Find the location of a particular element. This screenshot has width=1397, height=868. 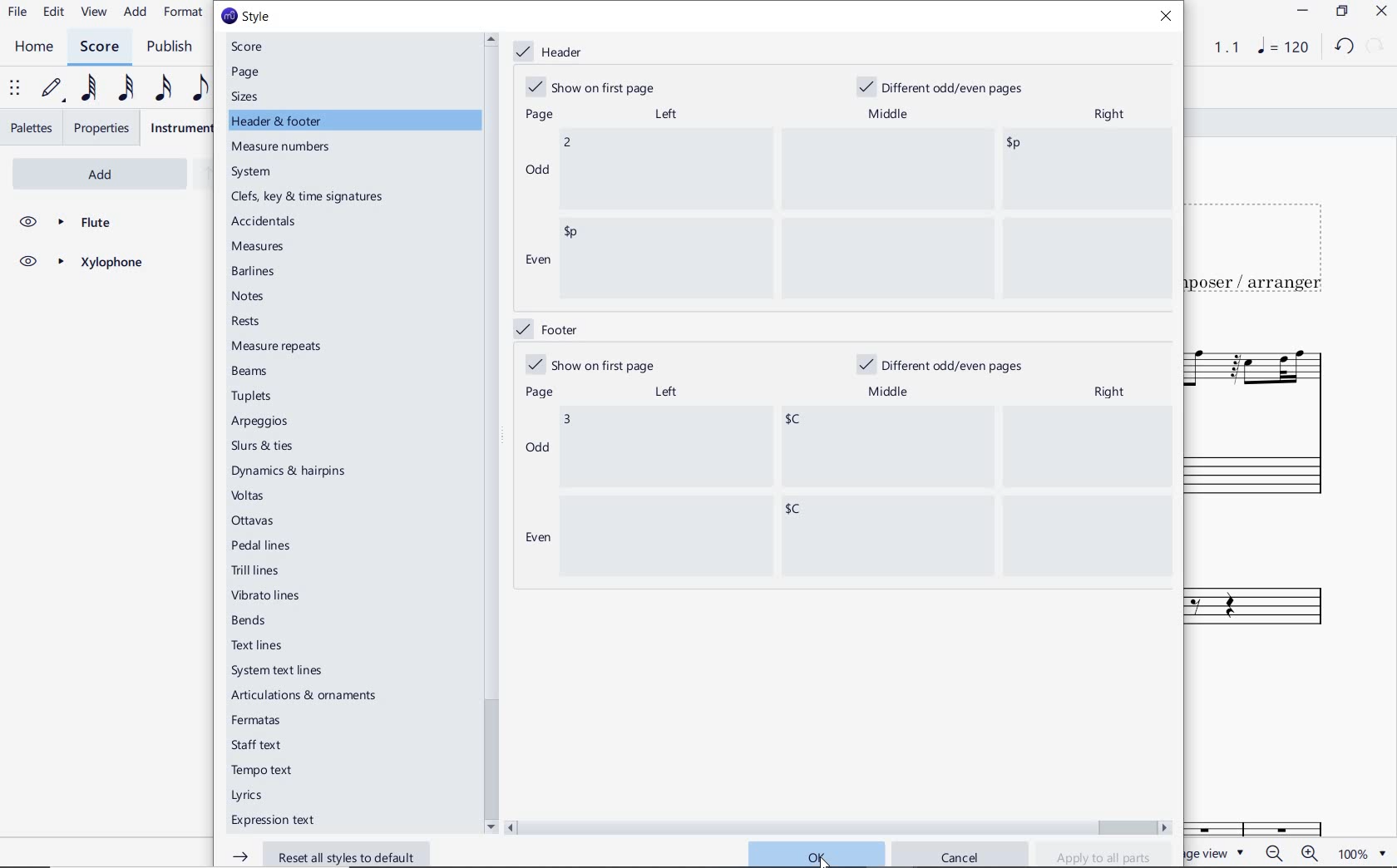

ok is located at coordinates (817, 854).